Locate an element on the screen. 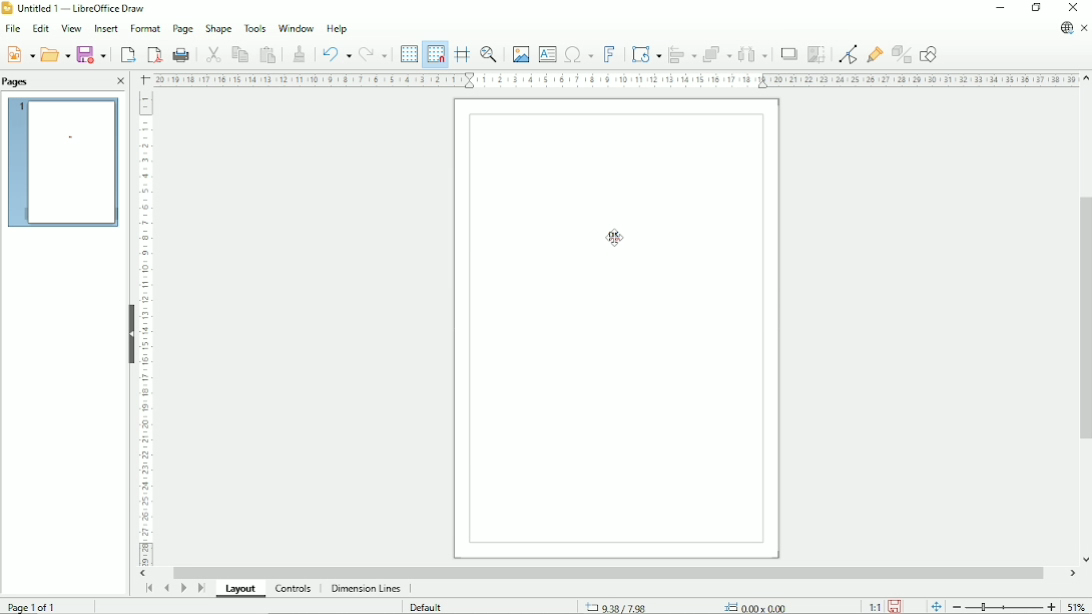 This screenshot has height=614, width=1092. Pages is located at coordinates (21, 82).